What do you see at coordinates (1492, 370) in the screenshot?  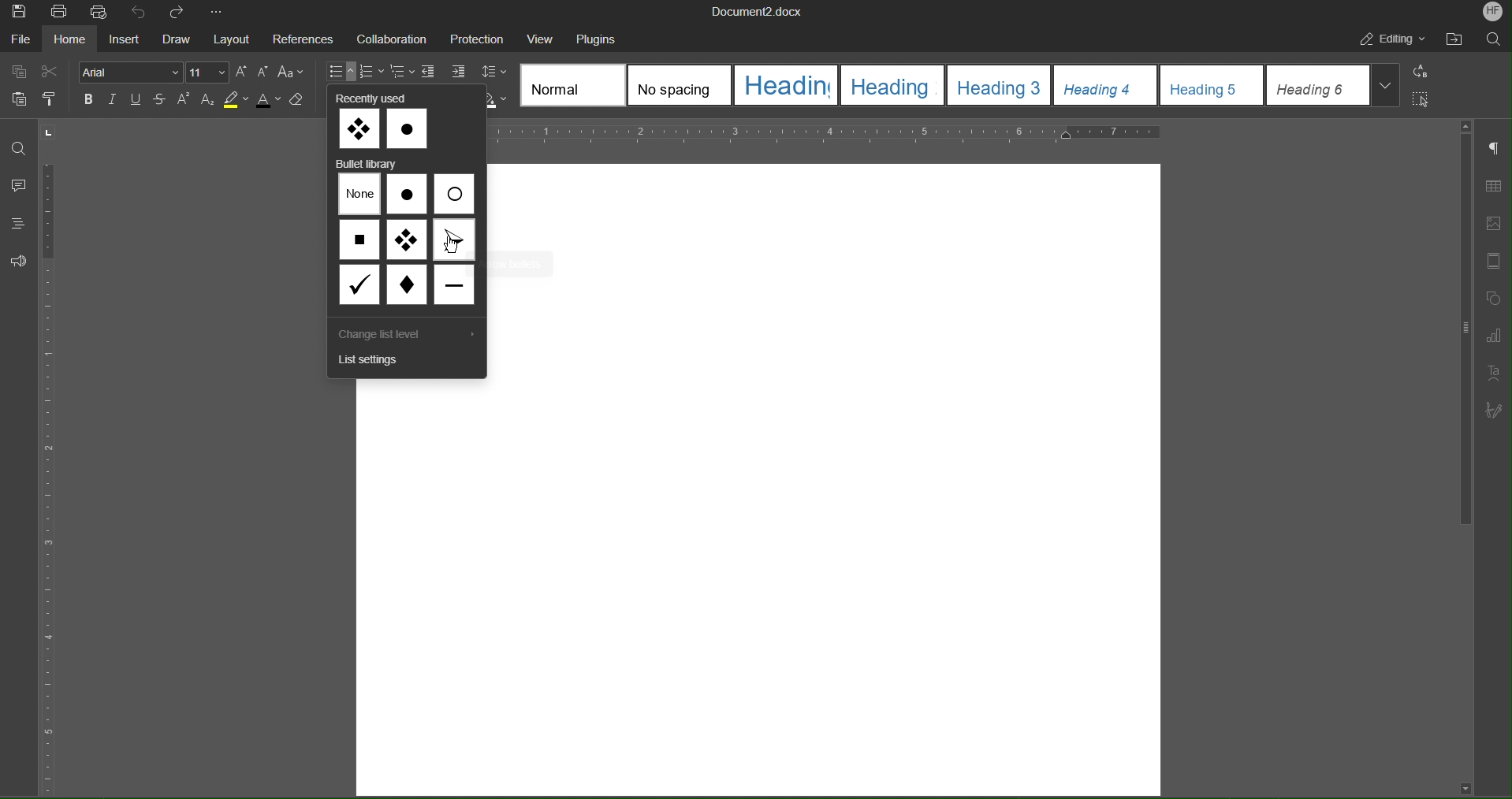 I see `Text Art` at bounding box center [1492, 370].